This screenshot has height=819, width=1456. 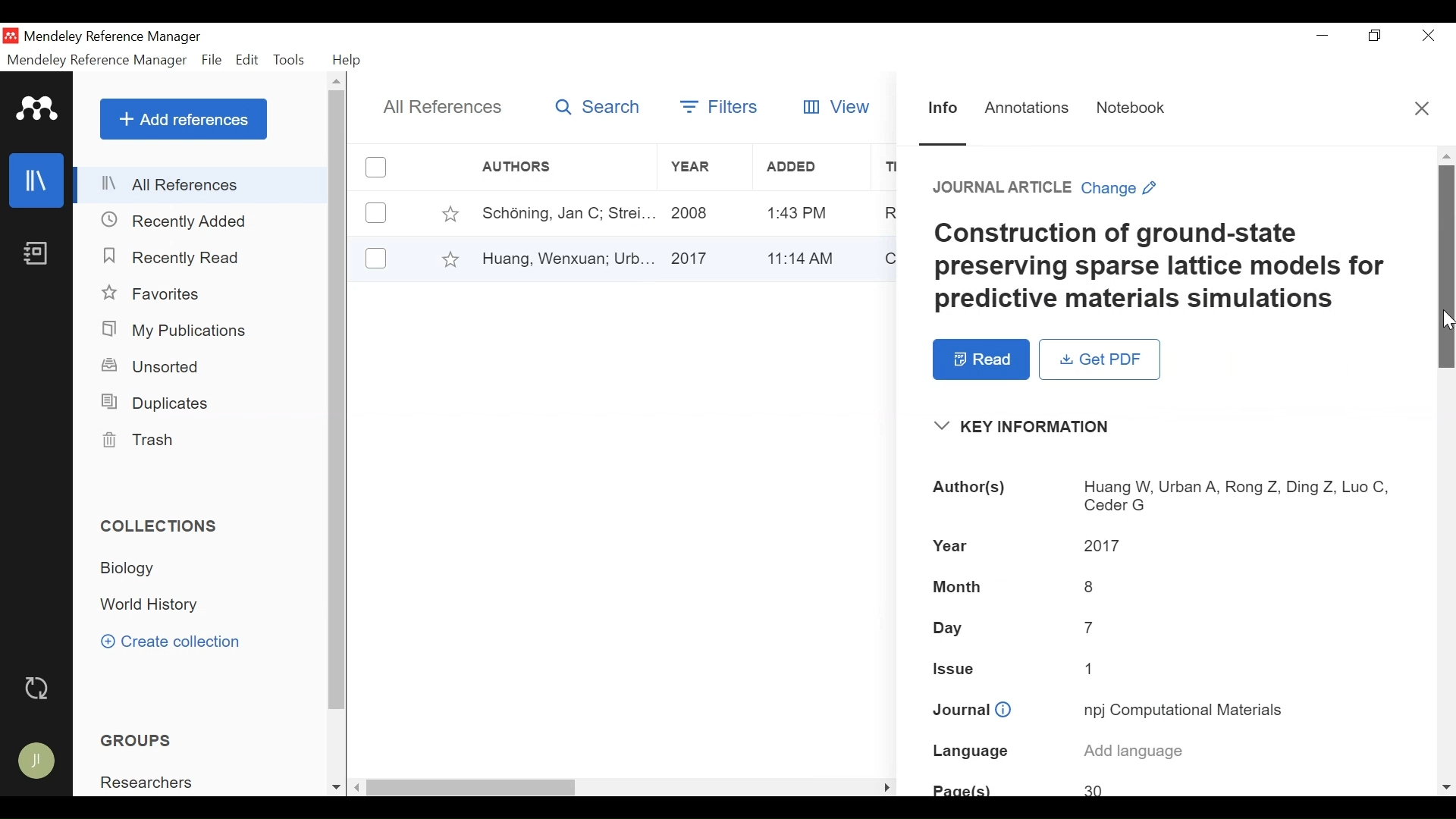 I want to click on Added, so click(x=808, y=168).